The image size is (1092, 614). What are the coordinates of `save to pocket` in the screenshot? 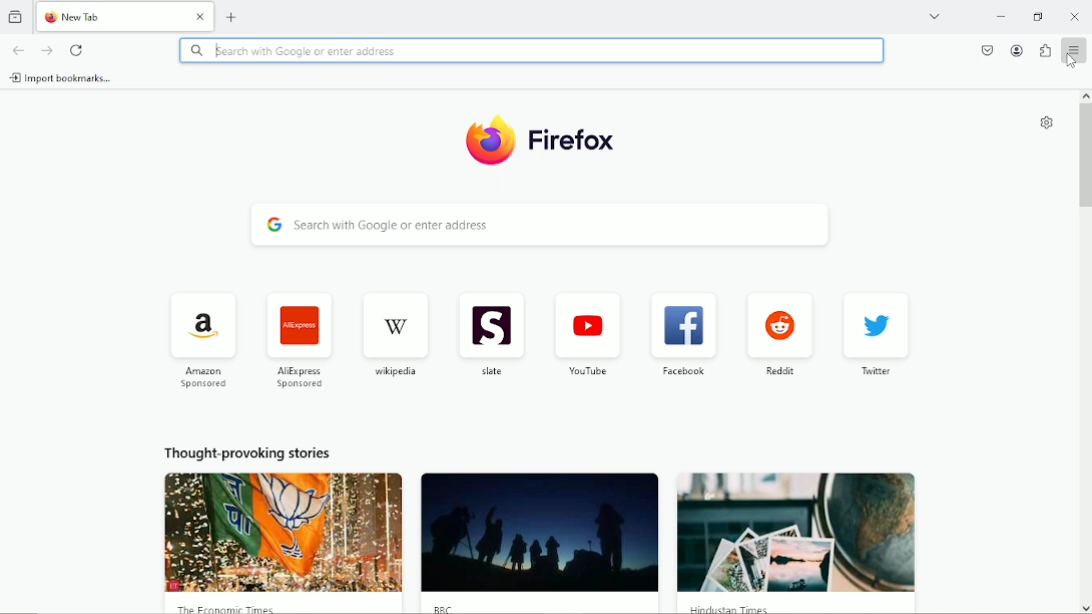 It's located at (985, 50).